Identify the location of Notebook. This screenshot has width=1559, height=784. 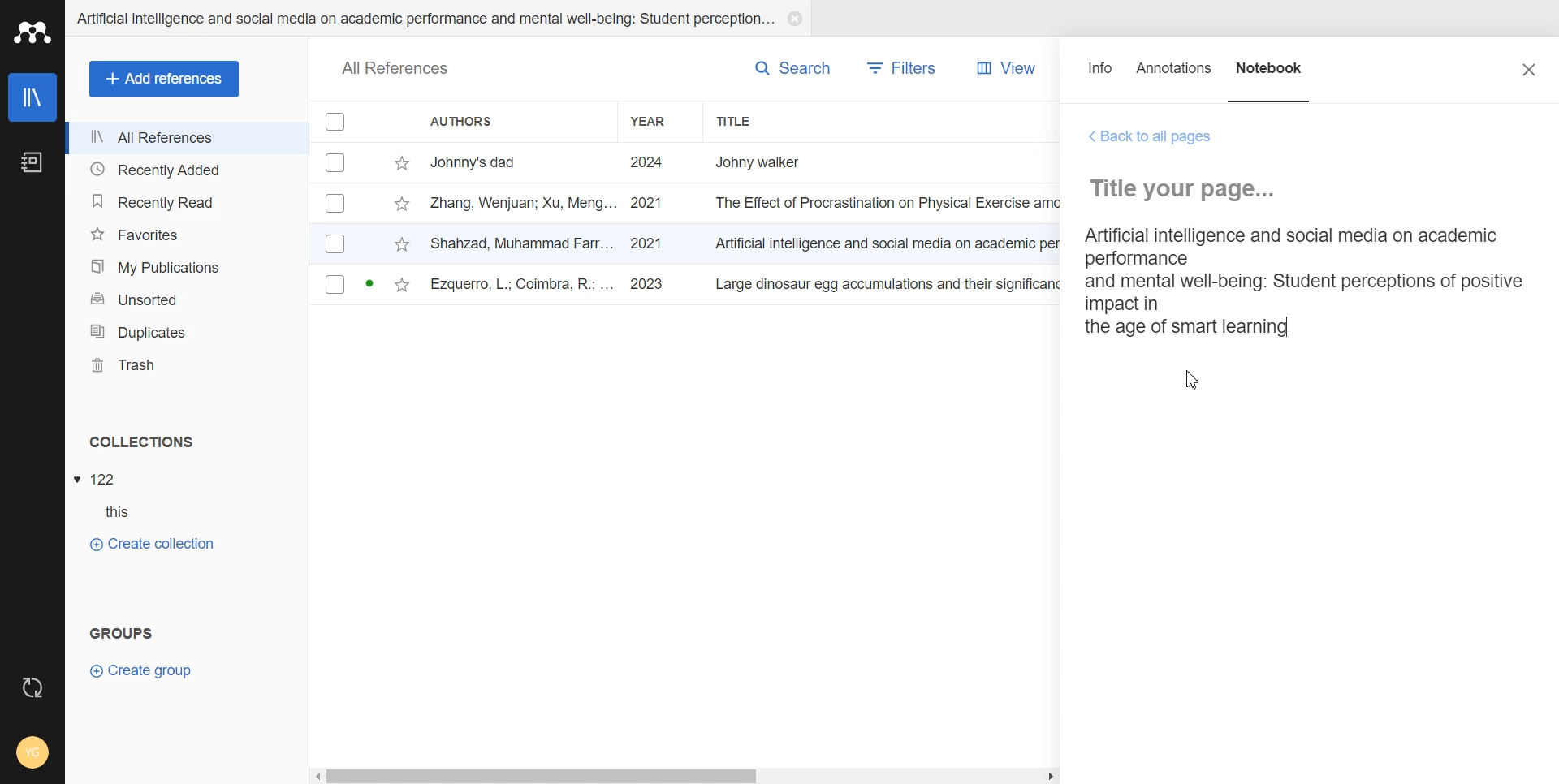
(31, 163).